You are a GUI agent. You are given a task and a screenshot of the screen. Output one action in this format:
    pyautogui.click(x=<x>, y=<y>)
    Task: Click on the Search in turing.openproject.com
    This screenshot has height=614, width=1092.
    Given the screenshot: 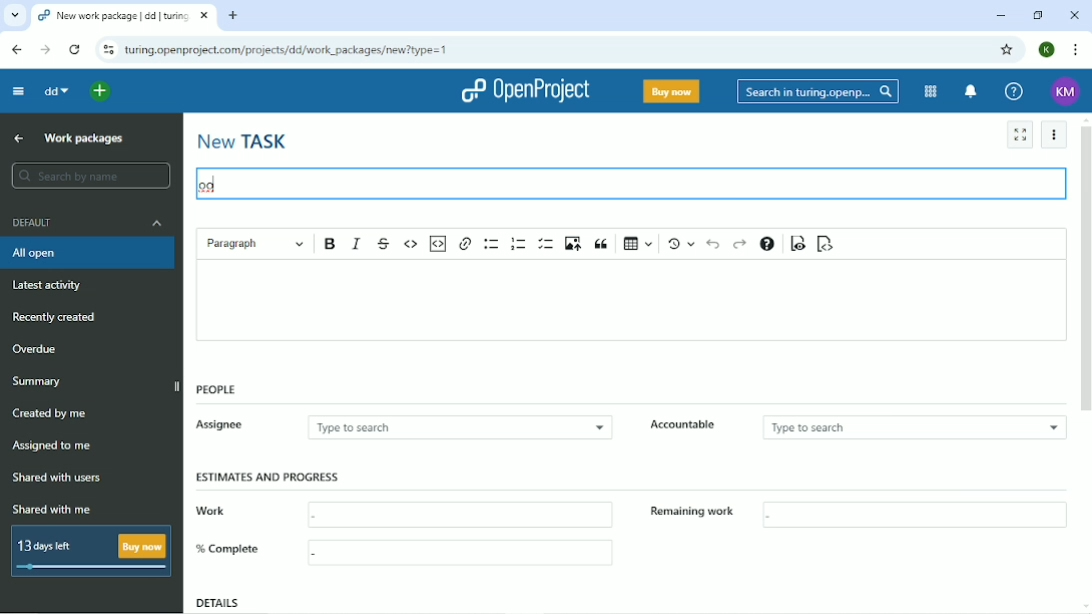 What is the action you would take?
    pyautogui.click(x=818, y=91)
    